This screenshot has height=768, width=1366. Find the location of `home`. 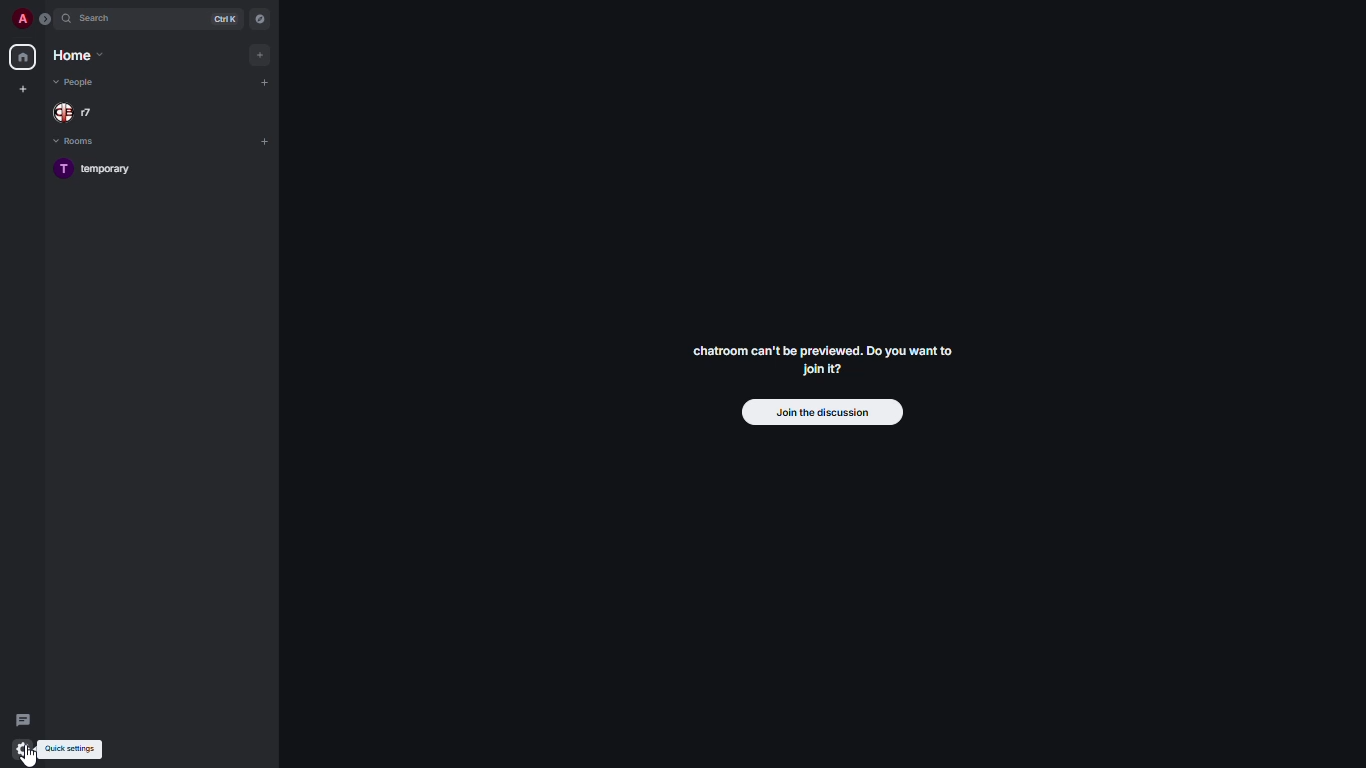

home is located at coordinates (80, 55).